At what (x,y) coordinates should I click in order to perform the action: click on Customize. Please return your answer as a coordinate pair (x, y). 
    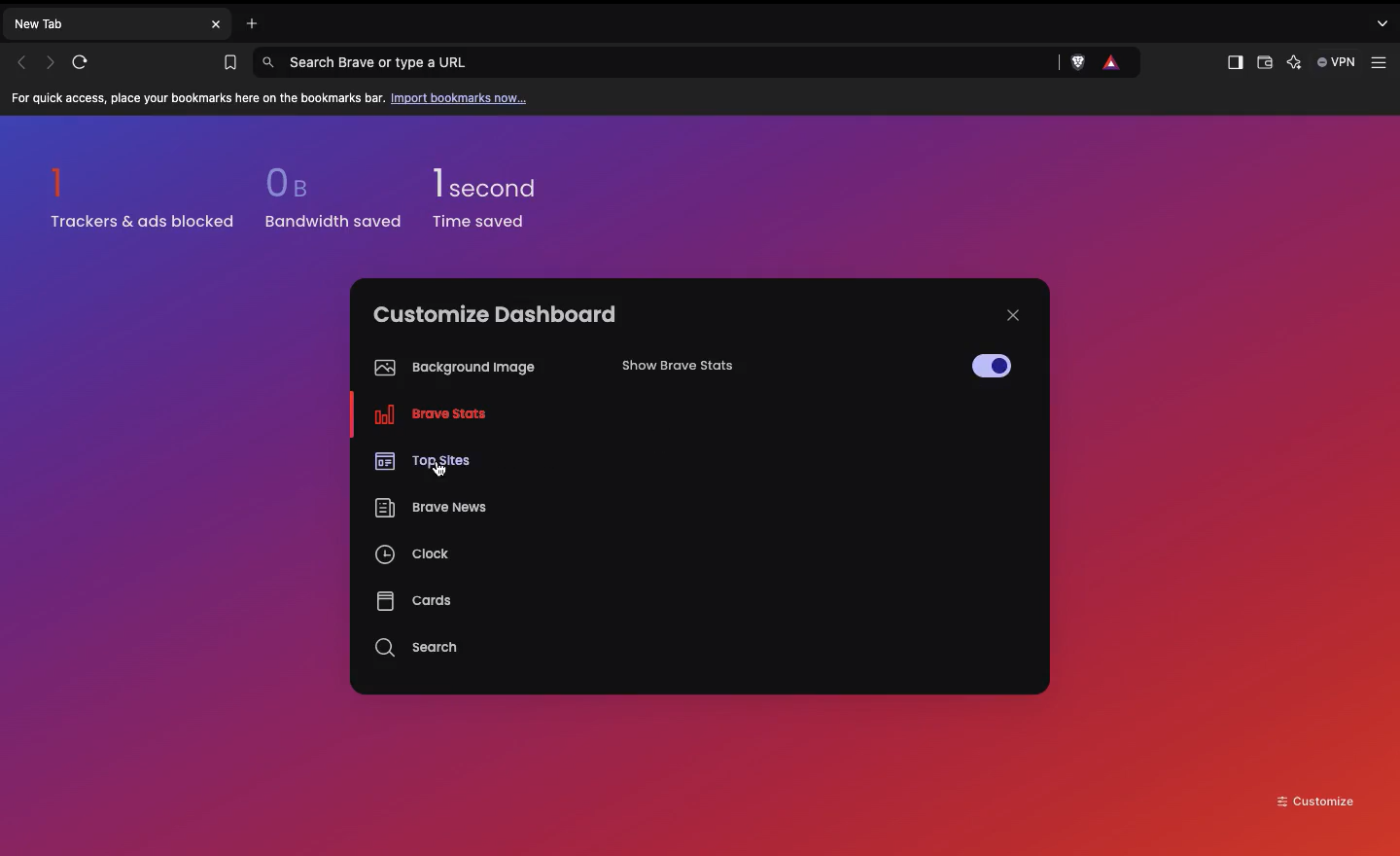
    Looking at the image, I should click on (1316, 800).